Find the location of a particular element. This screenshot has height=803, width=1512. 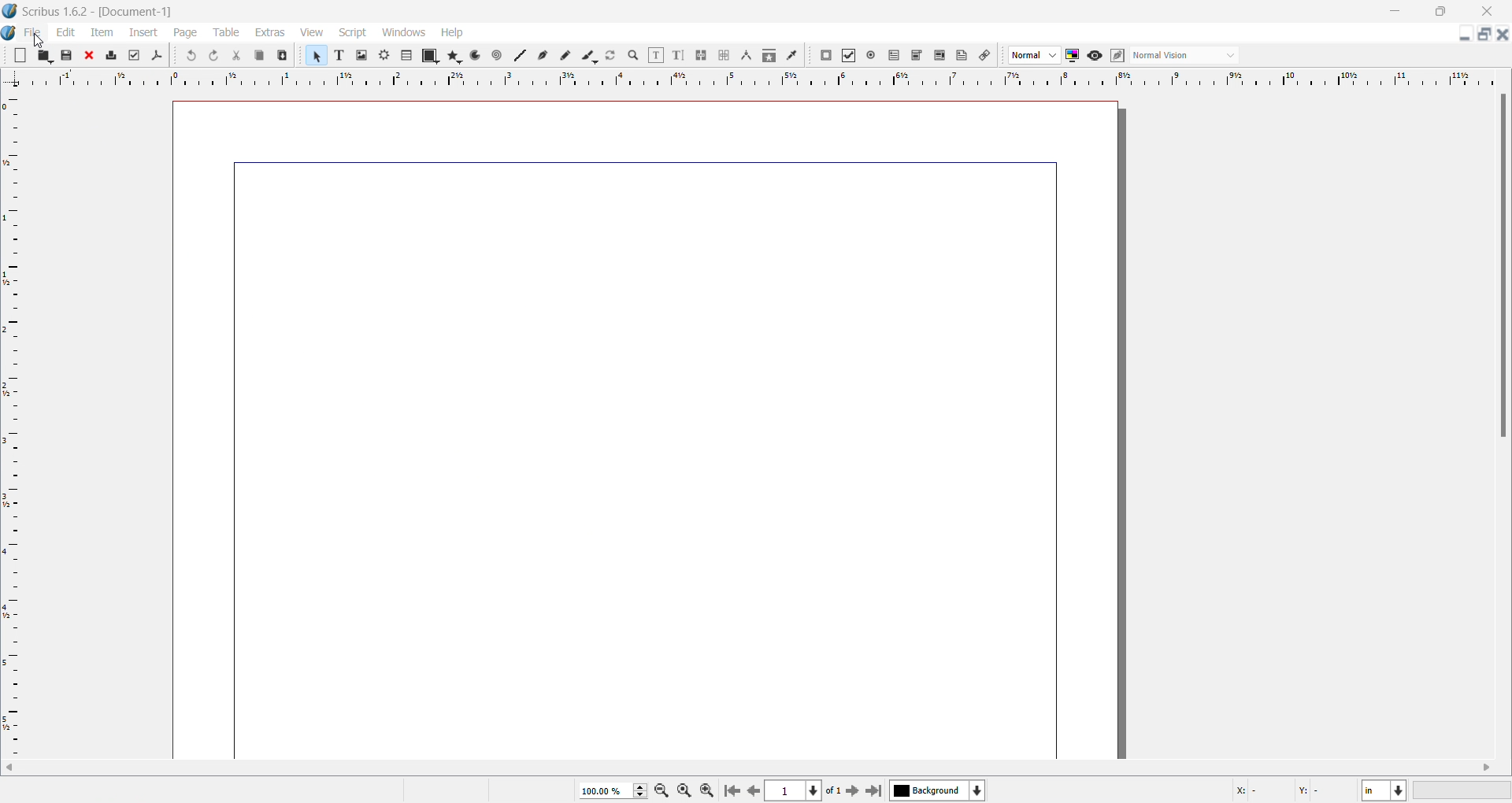

end is located at coordinates (877, 791).